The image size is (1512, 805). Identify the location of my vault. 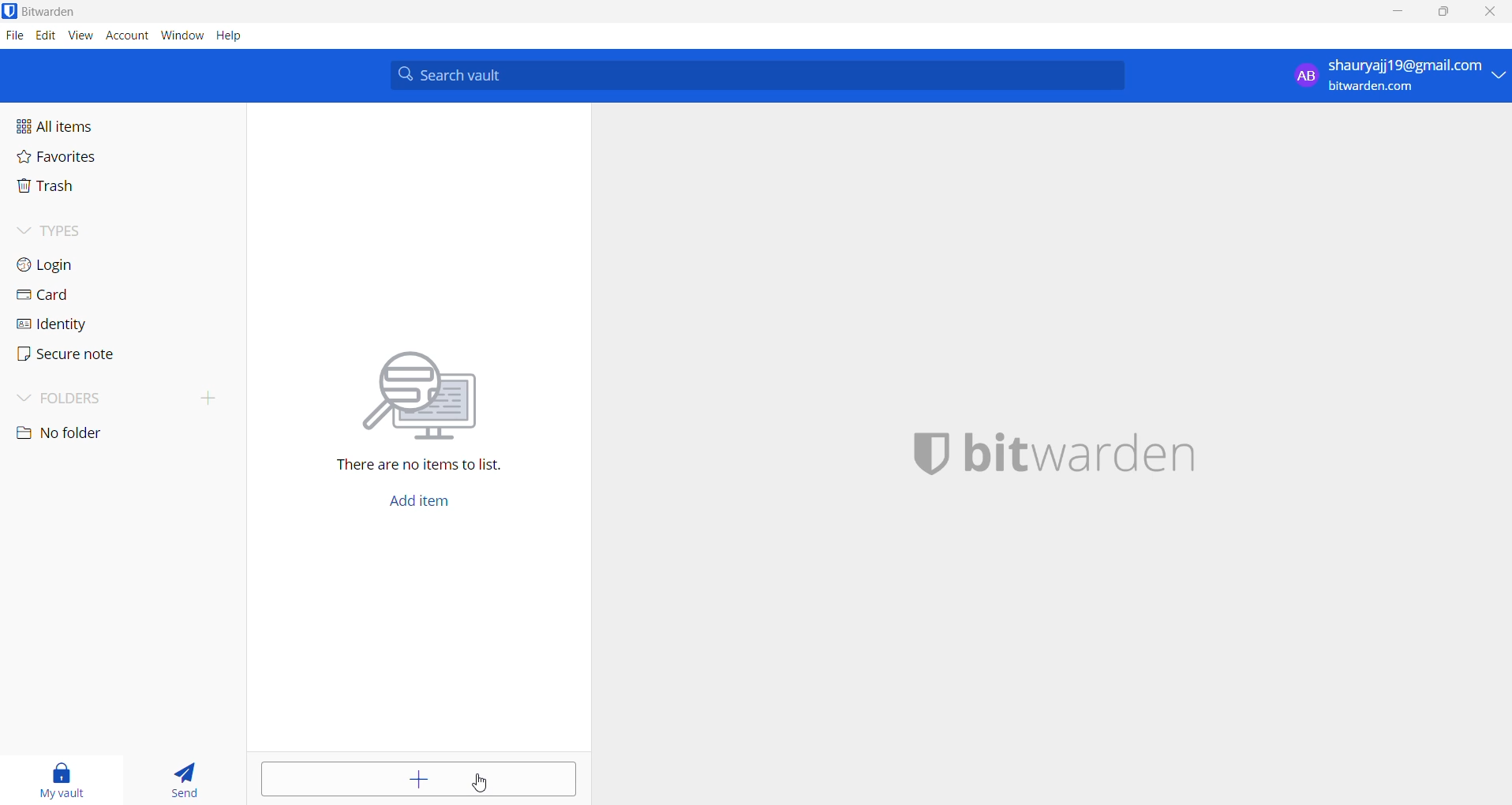
(68, 777).